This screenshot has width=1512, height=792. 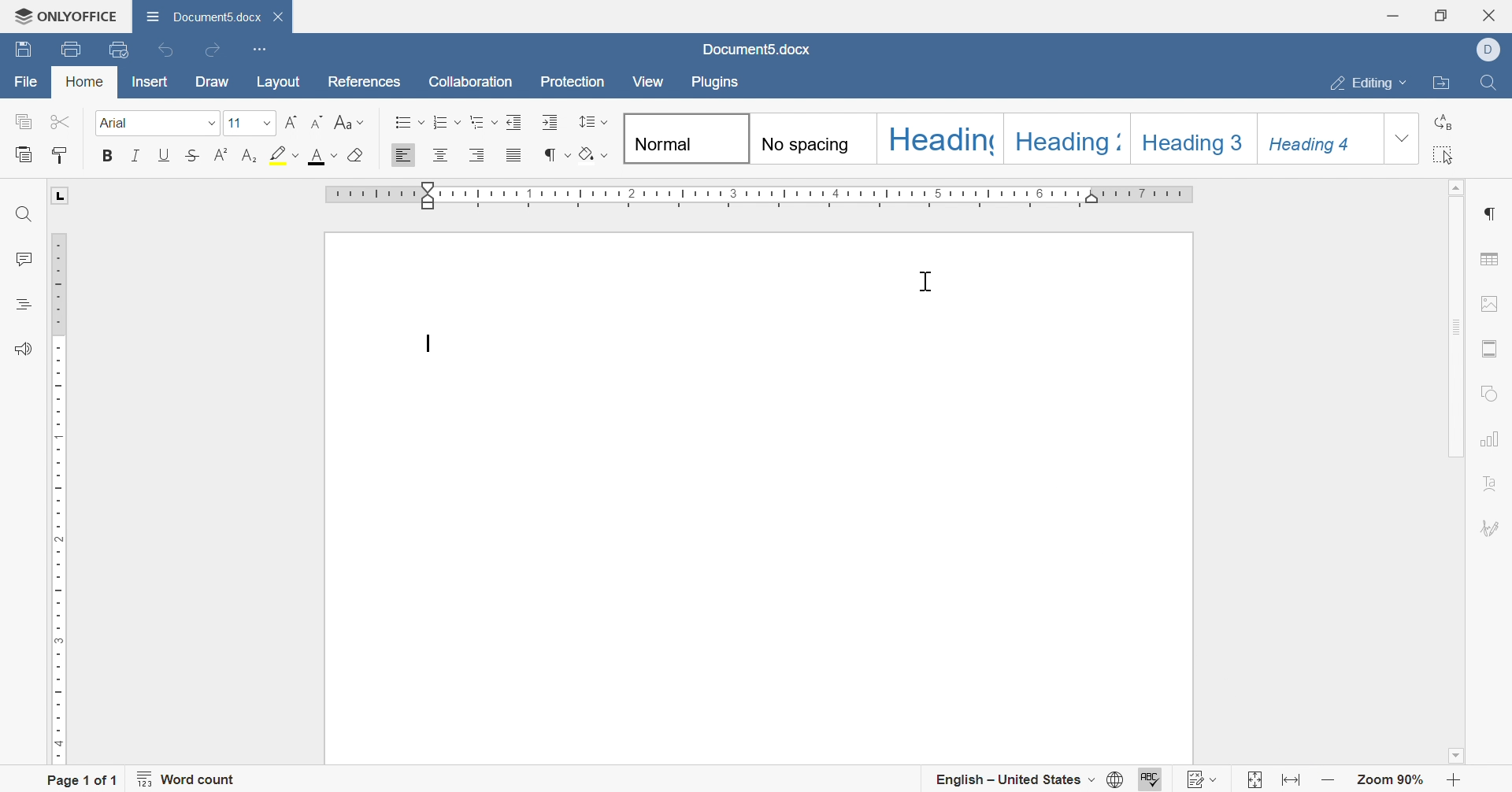 What do you see at coordinates (403, 155) in the screenshot?
I see `align left` at bounding box center [403, 155].